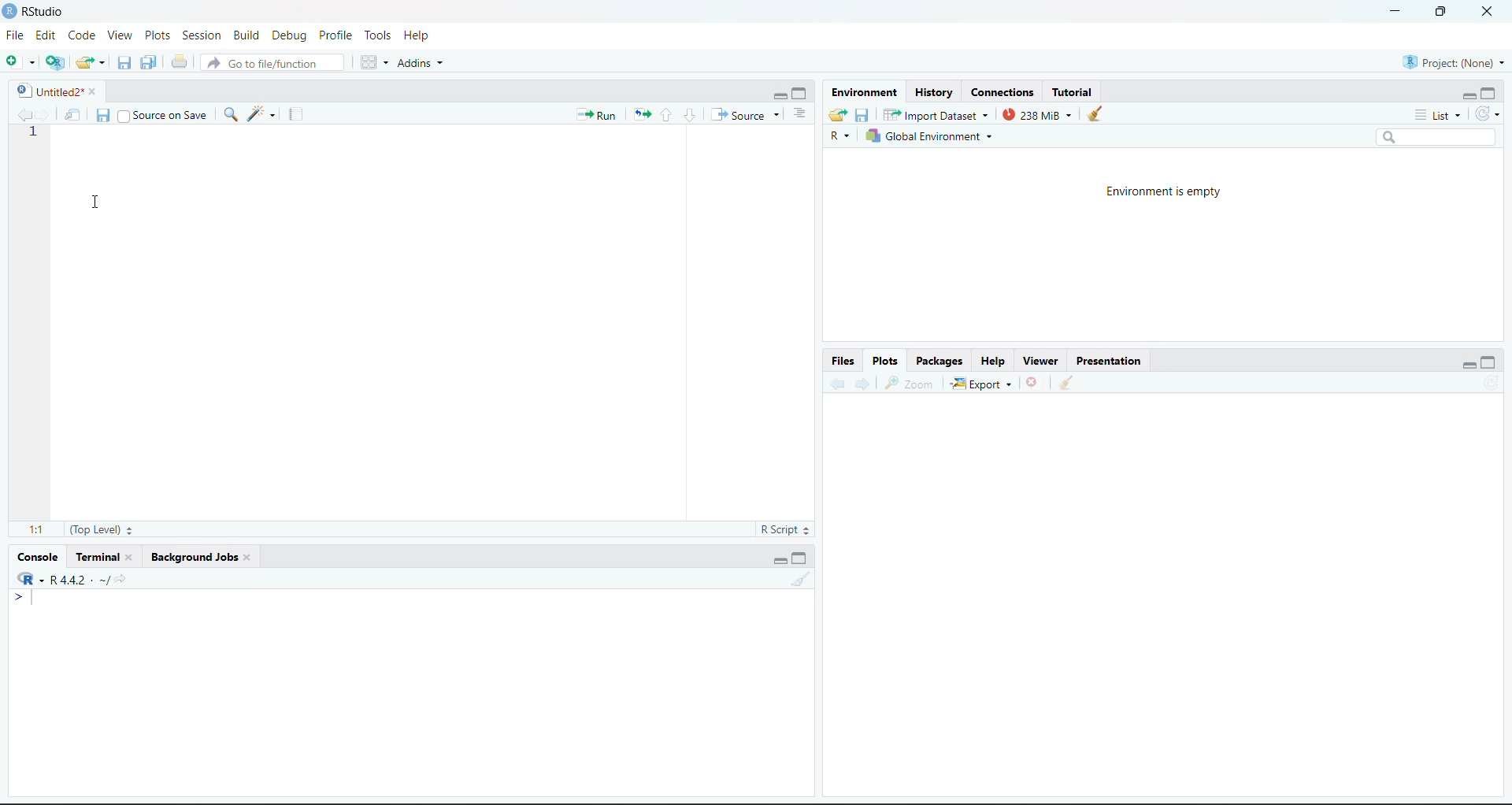 The image size is (1512, 805). Describe the element at coordinates (746, 114) in the screenshot. I see `Source` at that location.